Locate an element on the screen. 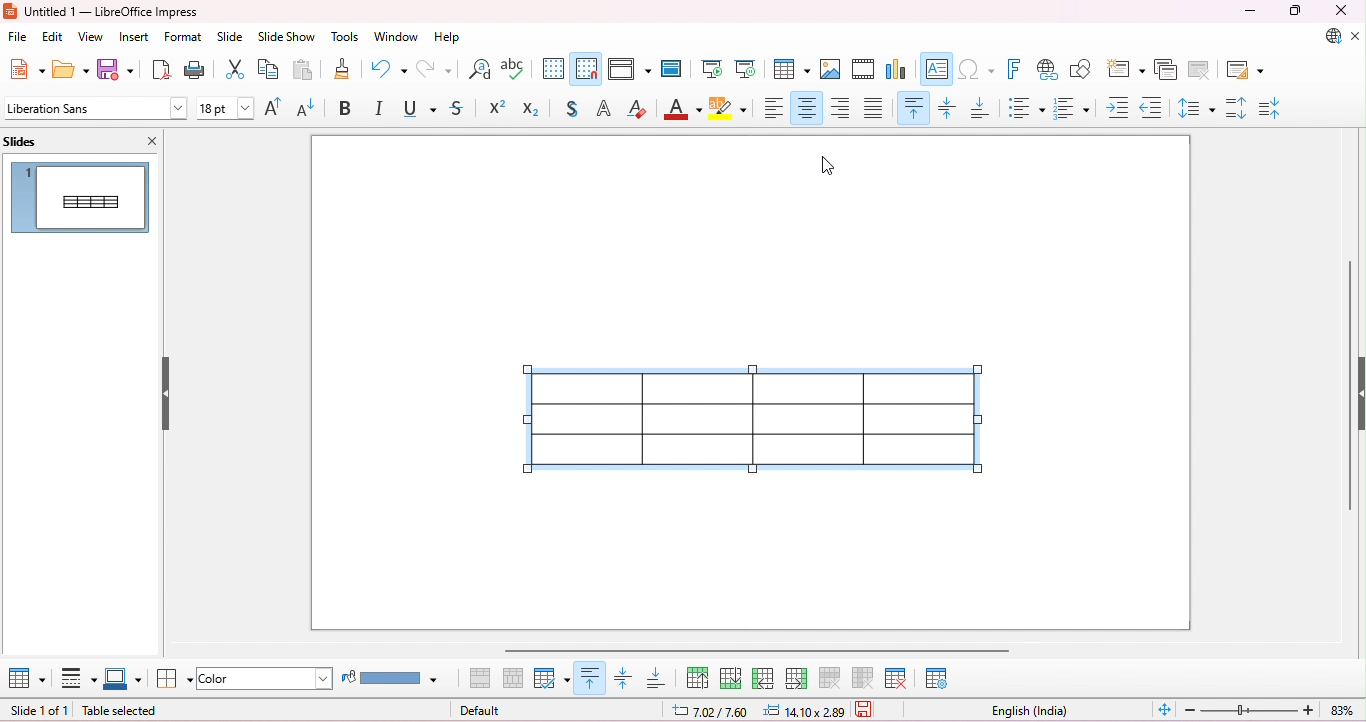 This screenshot has width=1366, height=722. print is located at coordinates (197, 71).